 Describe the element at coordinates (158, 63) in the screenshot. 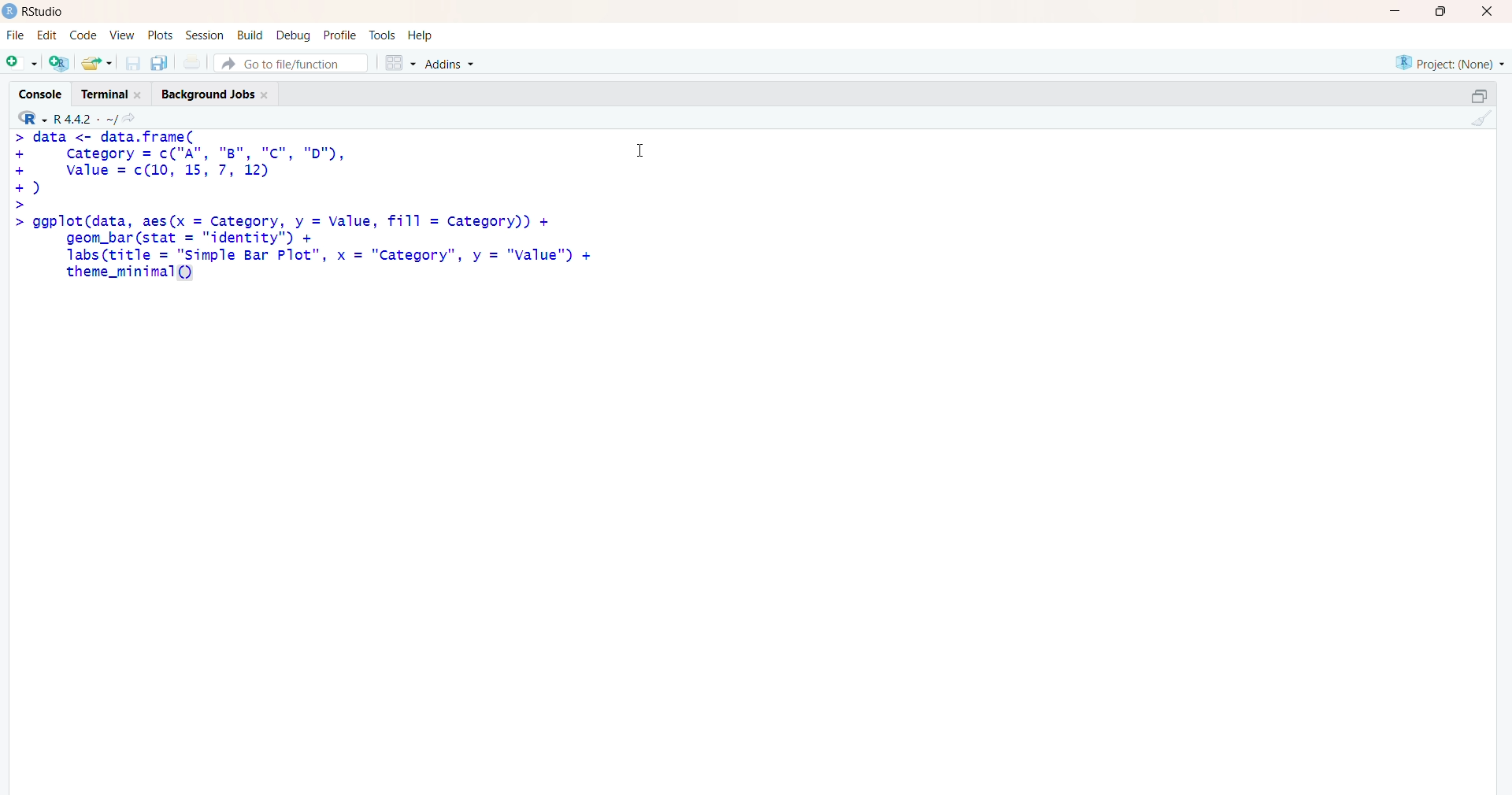

I see `save all open documents` at that location.